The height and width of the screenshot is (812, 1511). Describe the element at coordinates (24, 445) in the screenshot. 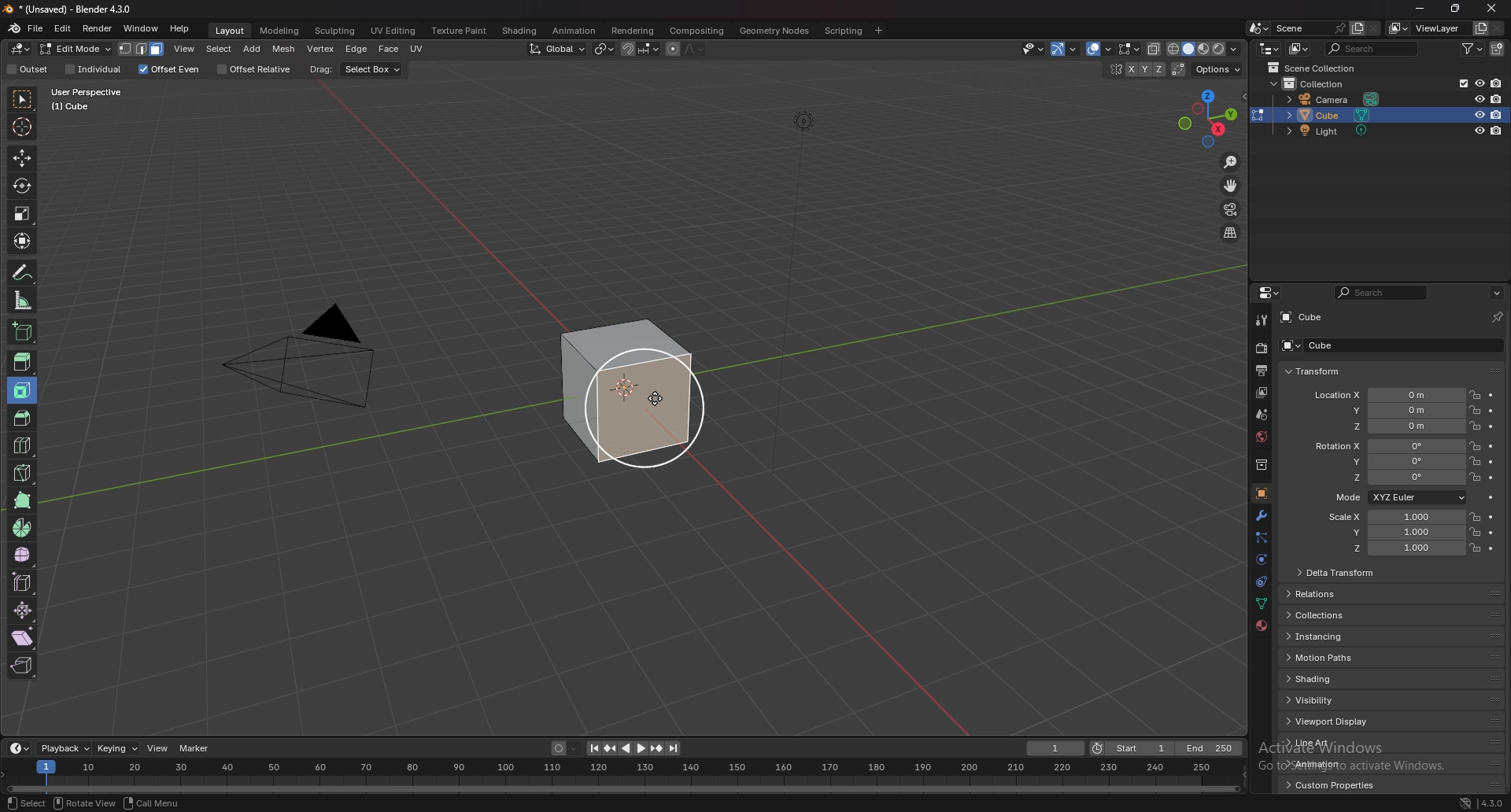

I see `loop cut` at that location.